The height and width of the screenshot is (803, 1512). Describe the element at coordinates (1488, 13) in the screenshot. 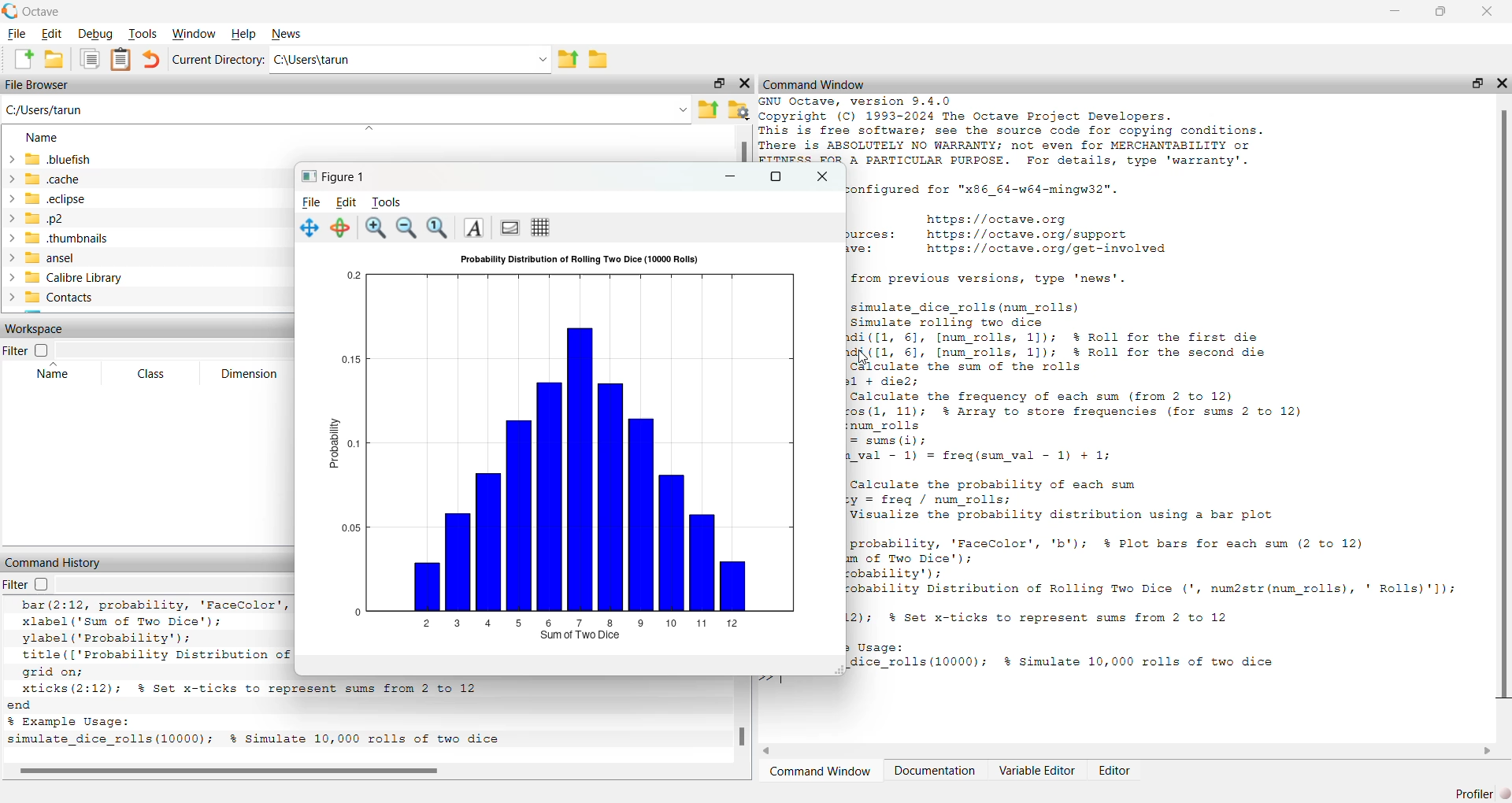

I see `close` at that location.